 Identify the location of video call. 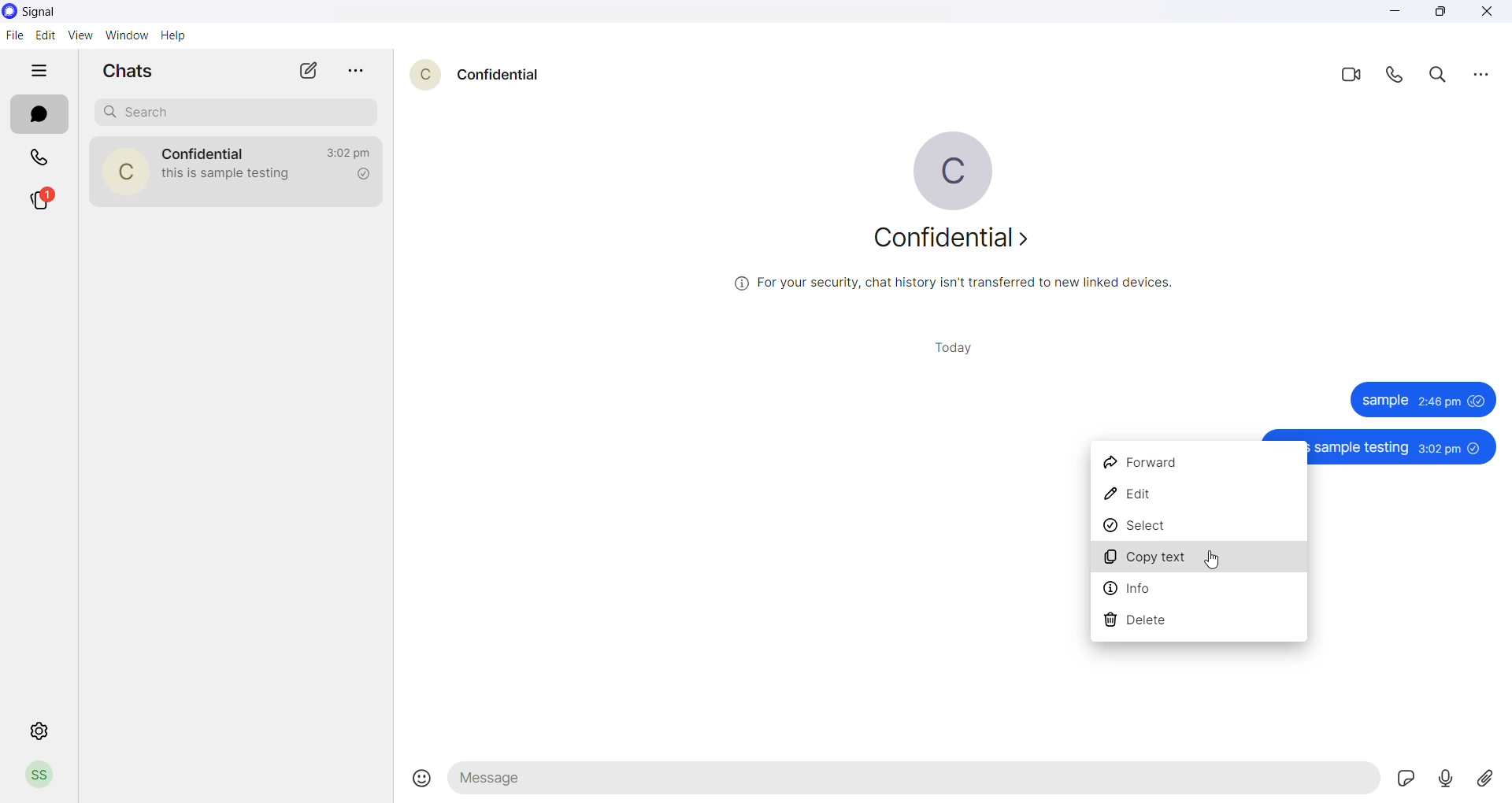
(1348, 78).